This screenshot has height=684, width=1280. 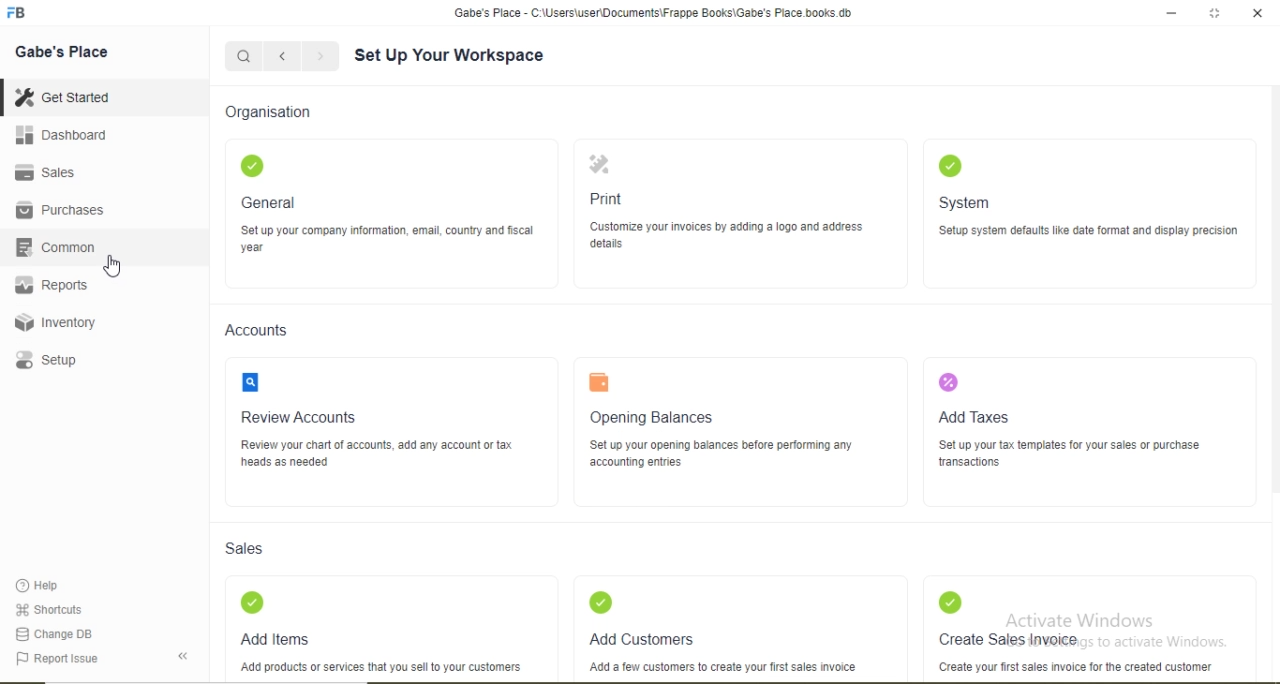 What do you see at coordinates (298, 418) in the screenshot?
I see `Review Accounts` at bounding box center [298, 418].